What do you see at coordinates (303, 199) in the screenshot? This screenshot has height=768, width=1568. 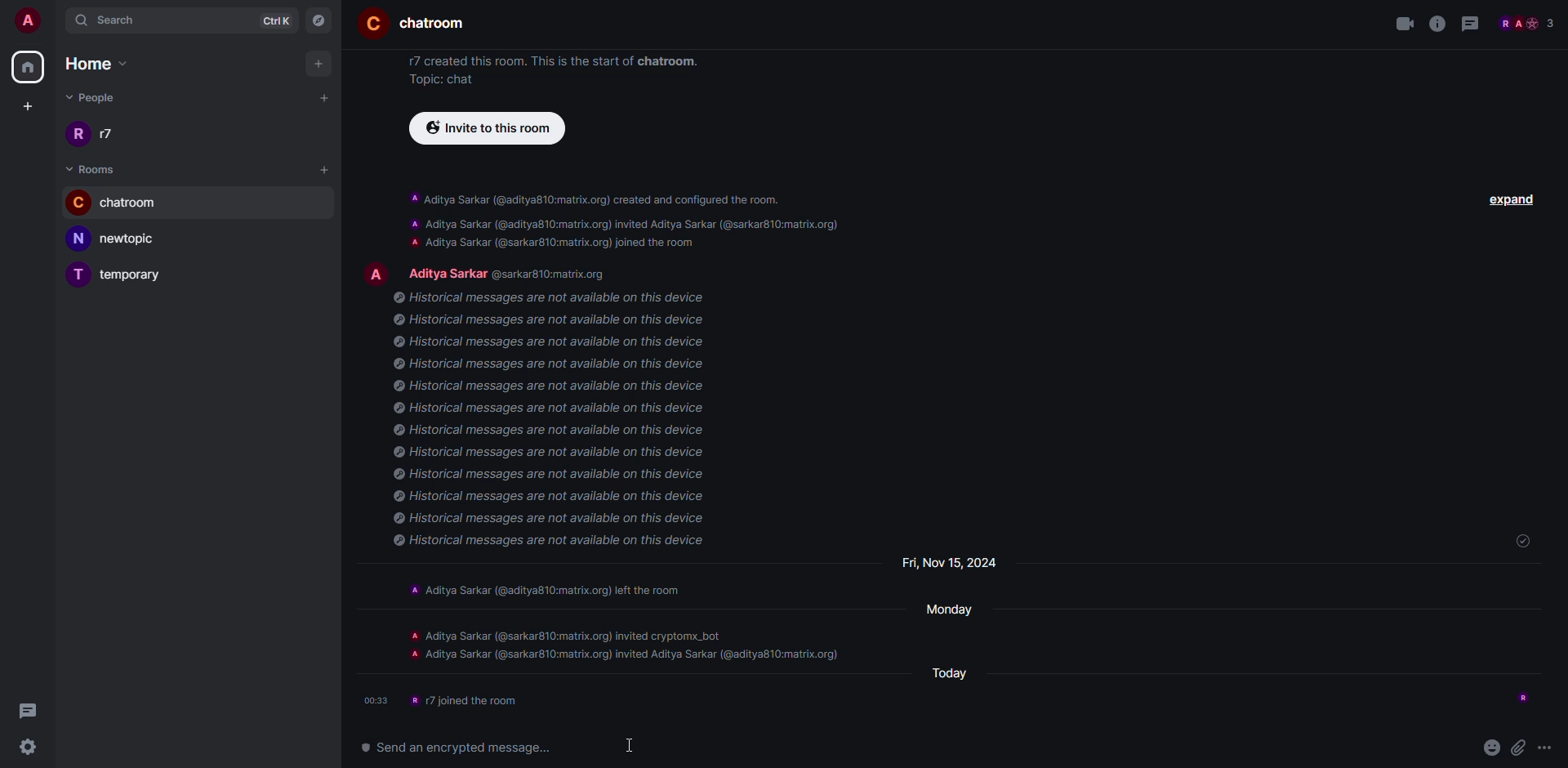 I see `more` at bounding box center [303, 199].